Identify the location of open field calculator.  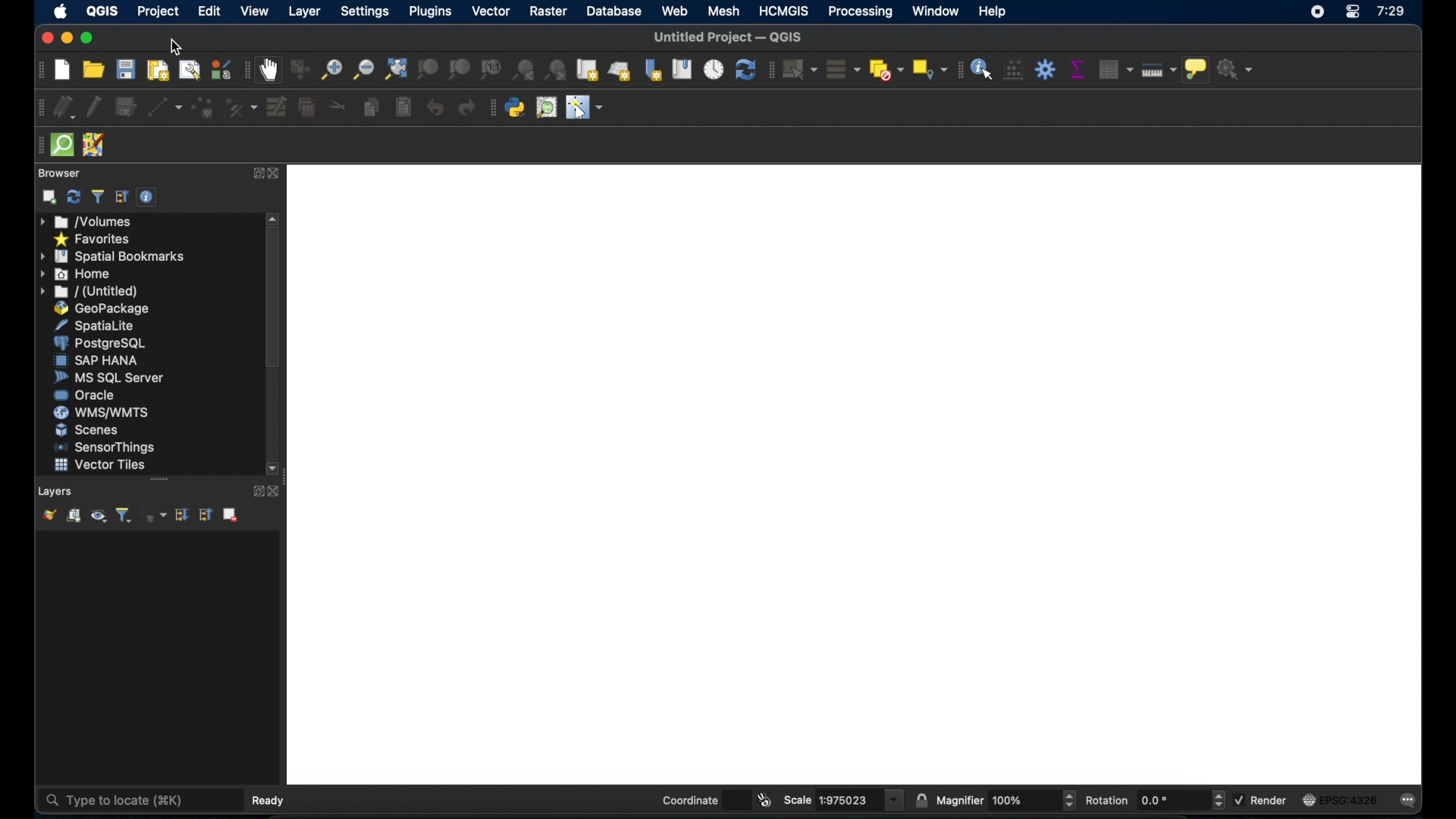
(1013, 71).